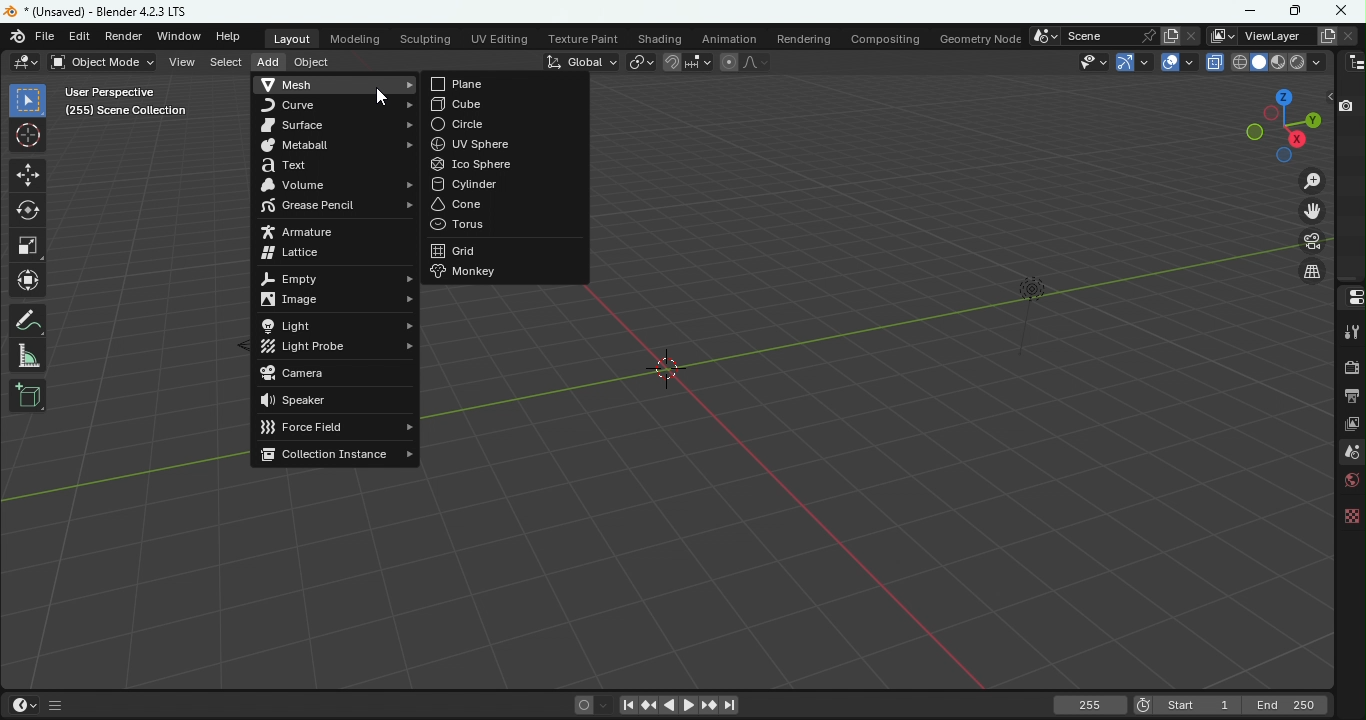 The width and height of the screenshot is (1366, 720). Describe the element at coordinates (1352, 62) in the screenshot. I see `Editor type` at that location.